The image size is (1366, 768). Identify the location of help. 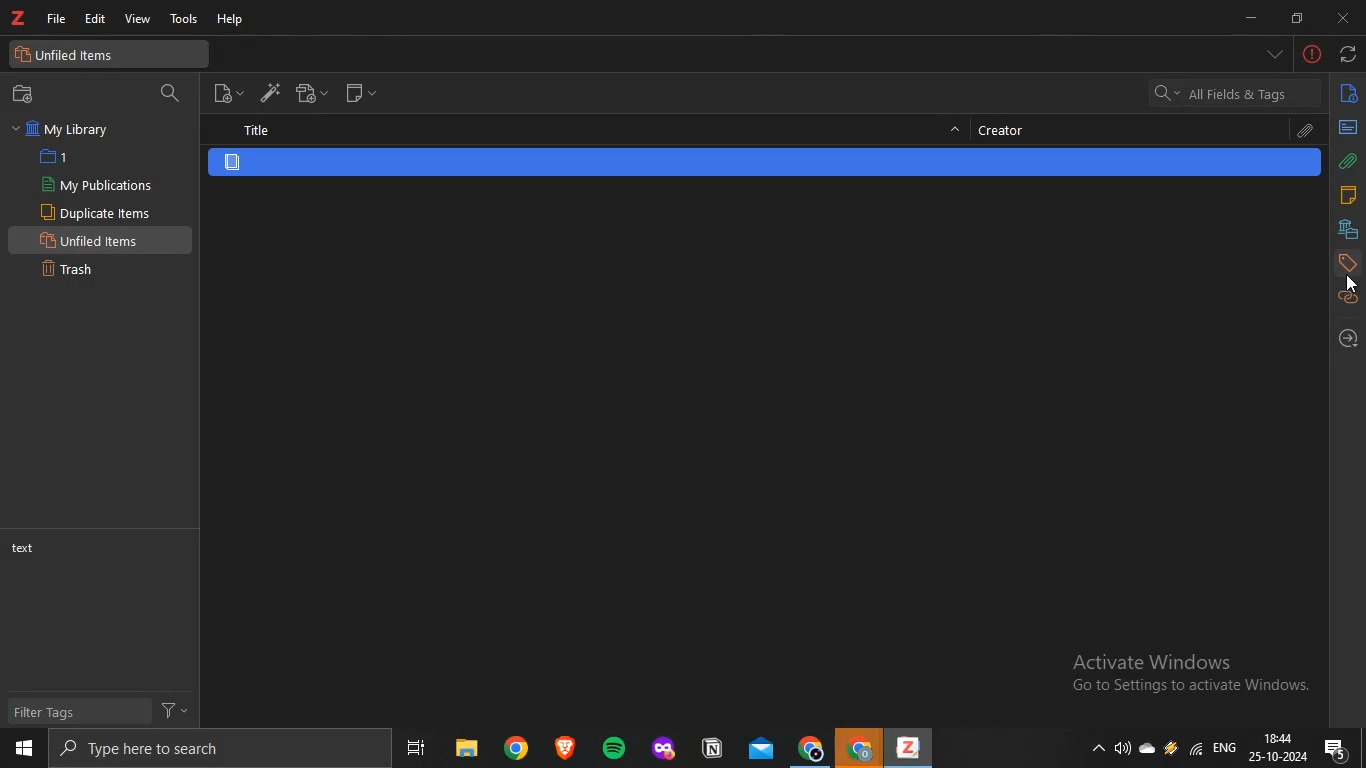
(228, 19).